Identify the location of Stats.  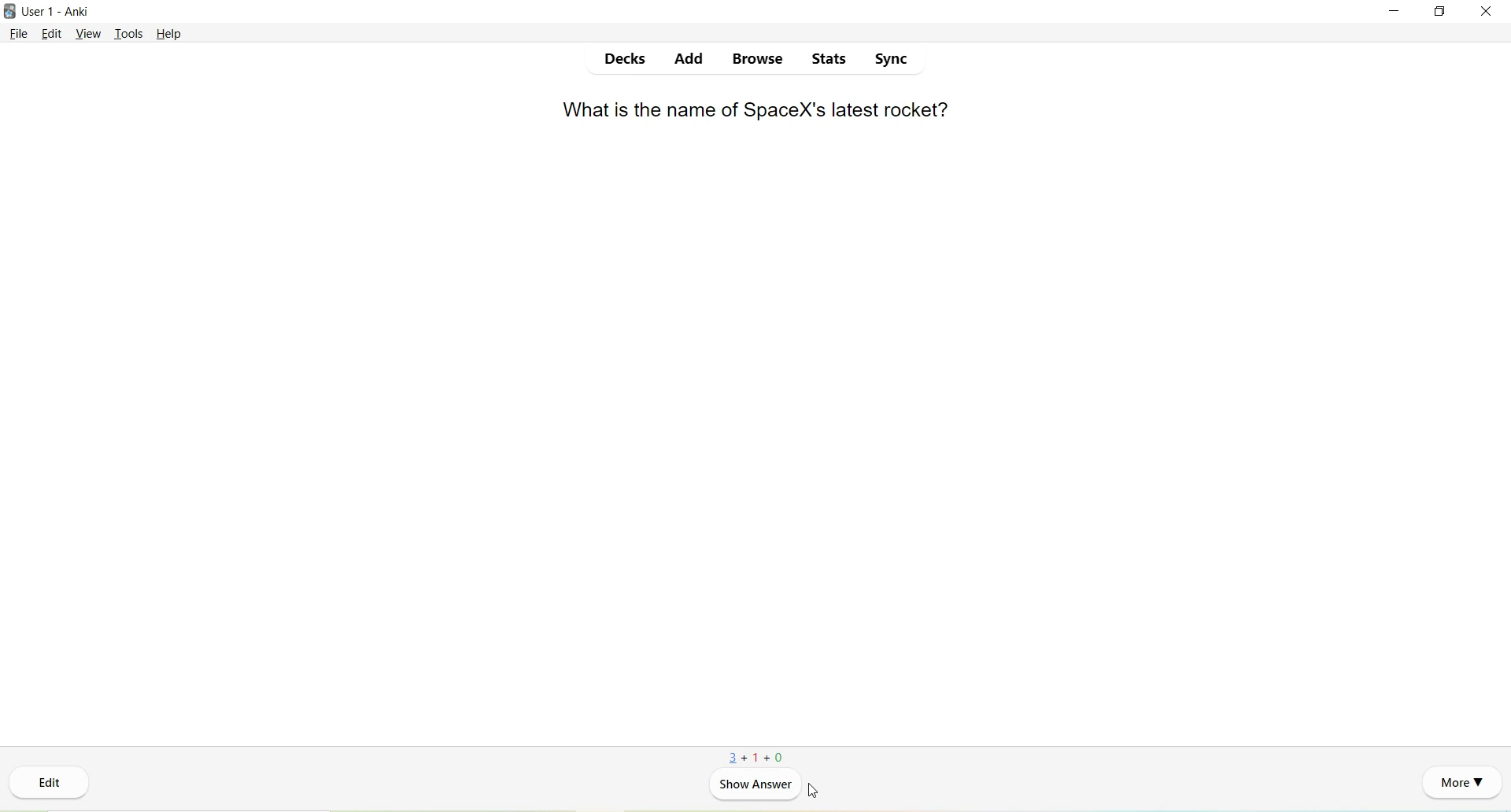
(829, 61).